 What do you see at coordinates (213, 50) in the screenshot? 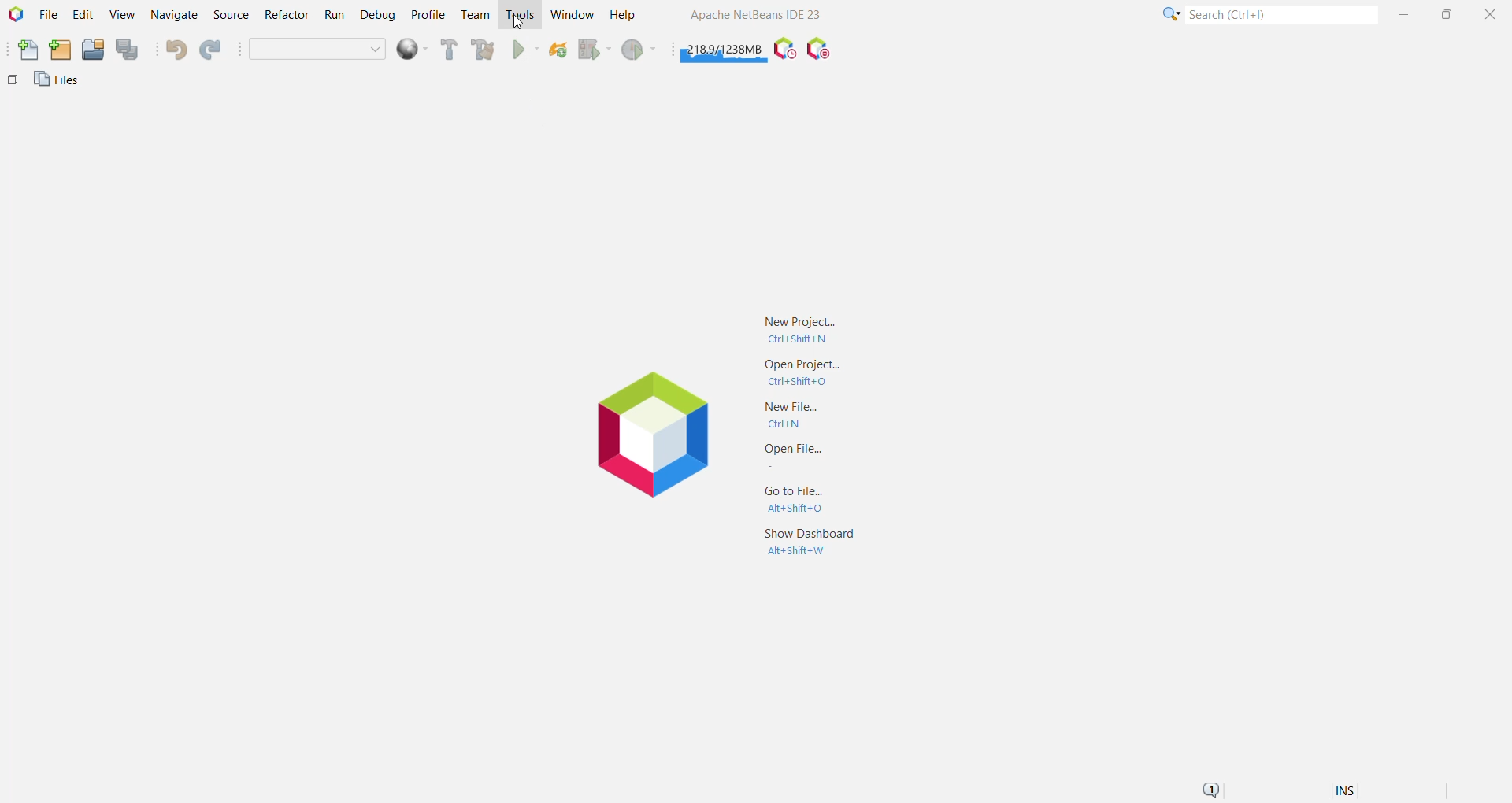
I see `Redo` at bounding box center [213, 50].